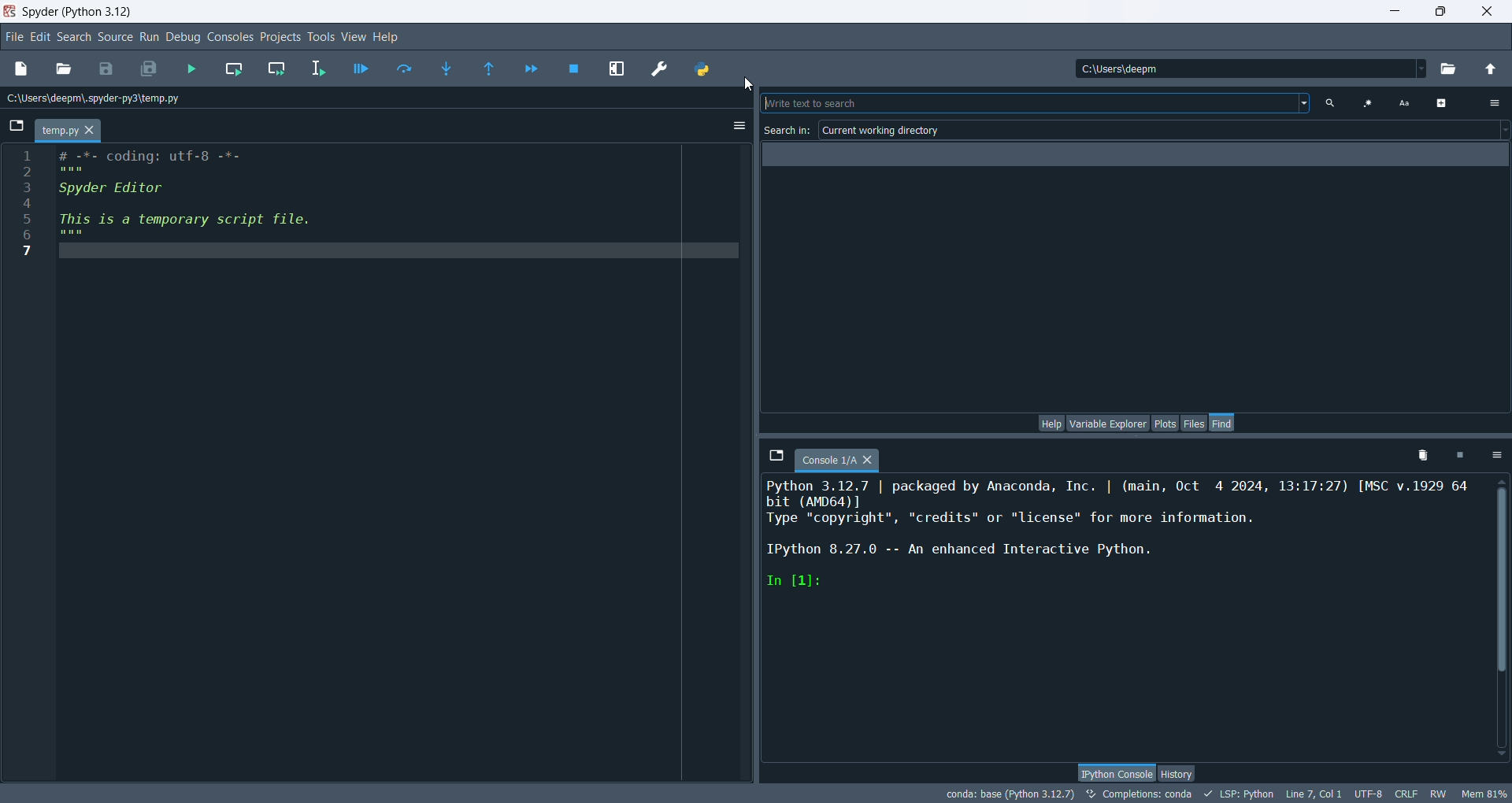  Describe the element at coordinates (1392, 12) in the screenshot. I see `minimize` at that location.